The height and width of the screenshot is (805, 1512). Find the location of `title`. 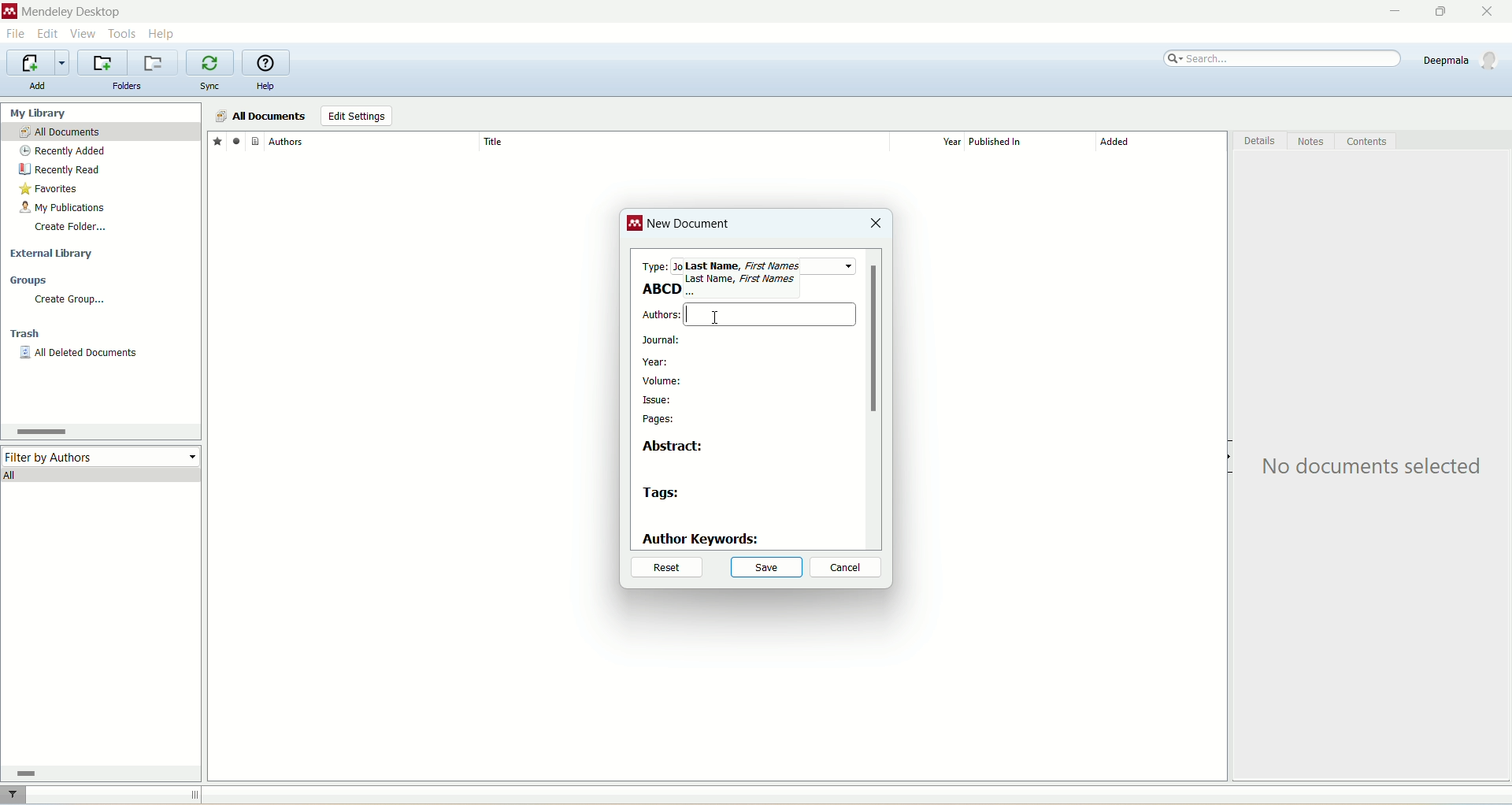

title is located at coordinates (683, 141).